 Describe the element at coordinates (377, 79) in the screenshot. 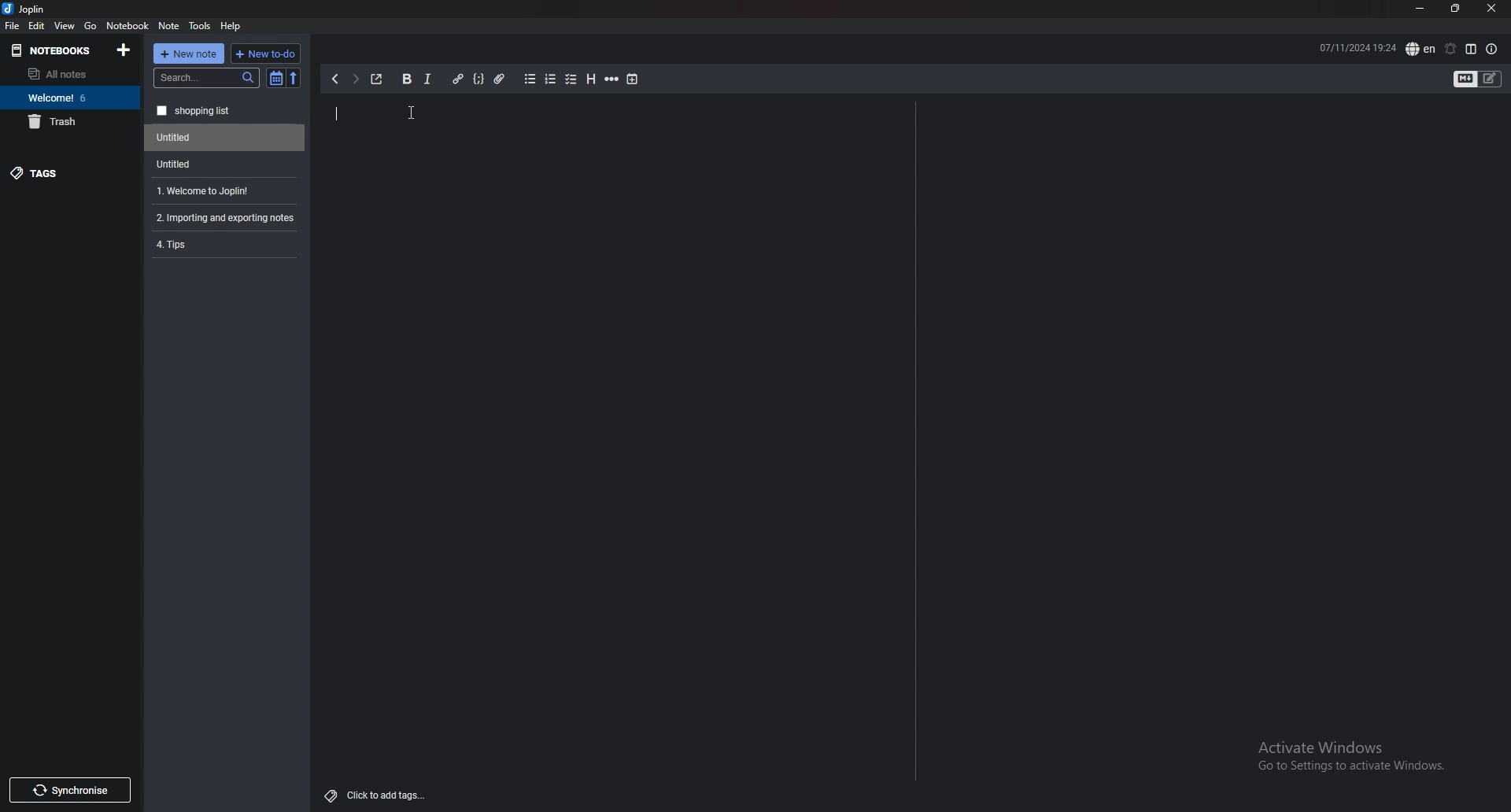

I see `toggle external editor` at that location.